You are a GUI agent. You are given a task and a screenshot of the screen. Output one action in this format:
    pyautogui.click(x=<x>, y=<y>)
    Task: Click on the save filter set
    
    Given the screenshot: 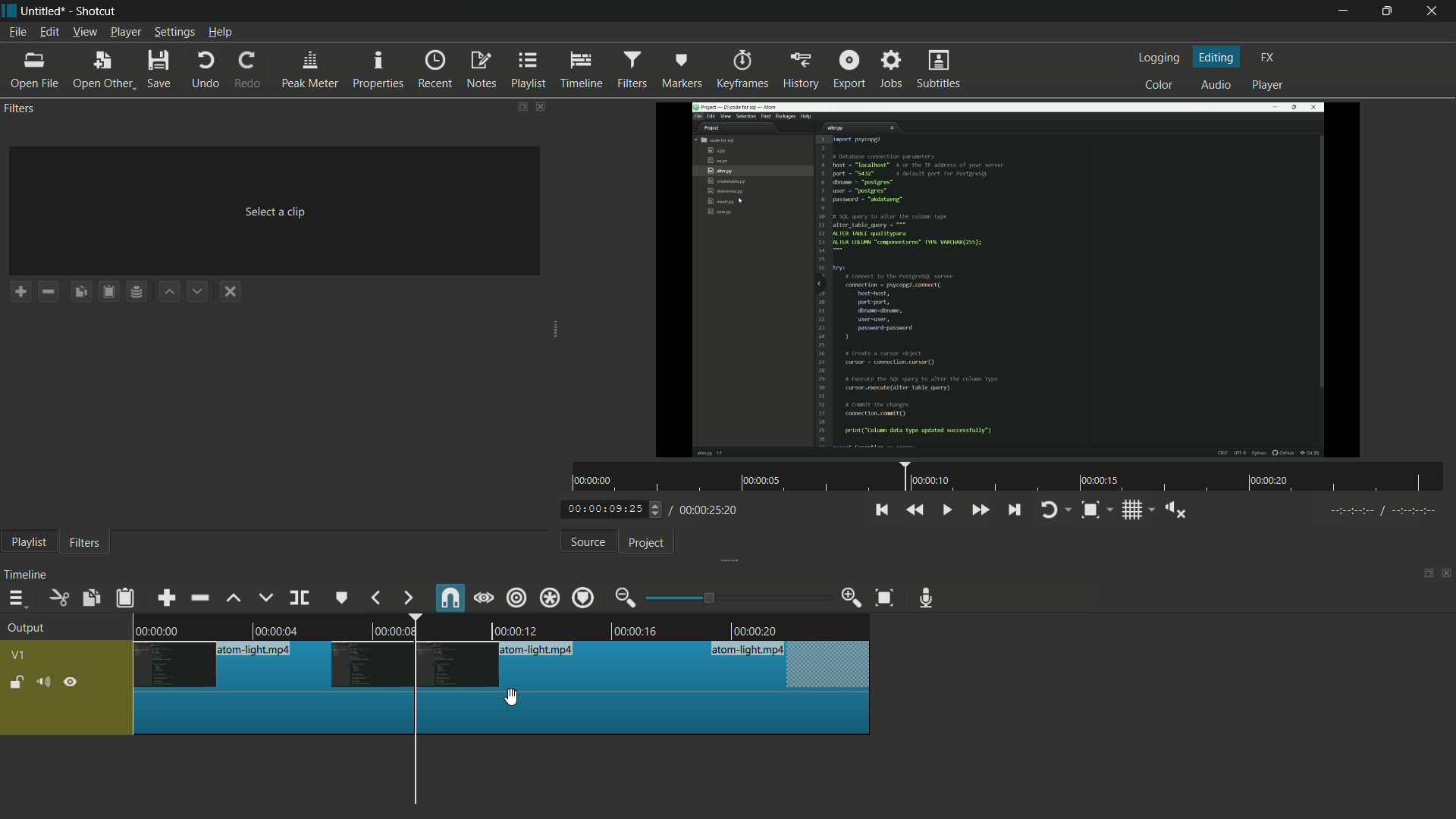 What is the action you would take?
    pyautogui.click(x=140, y=293)
    